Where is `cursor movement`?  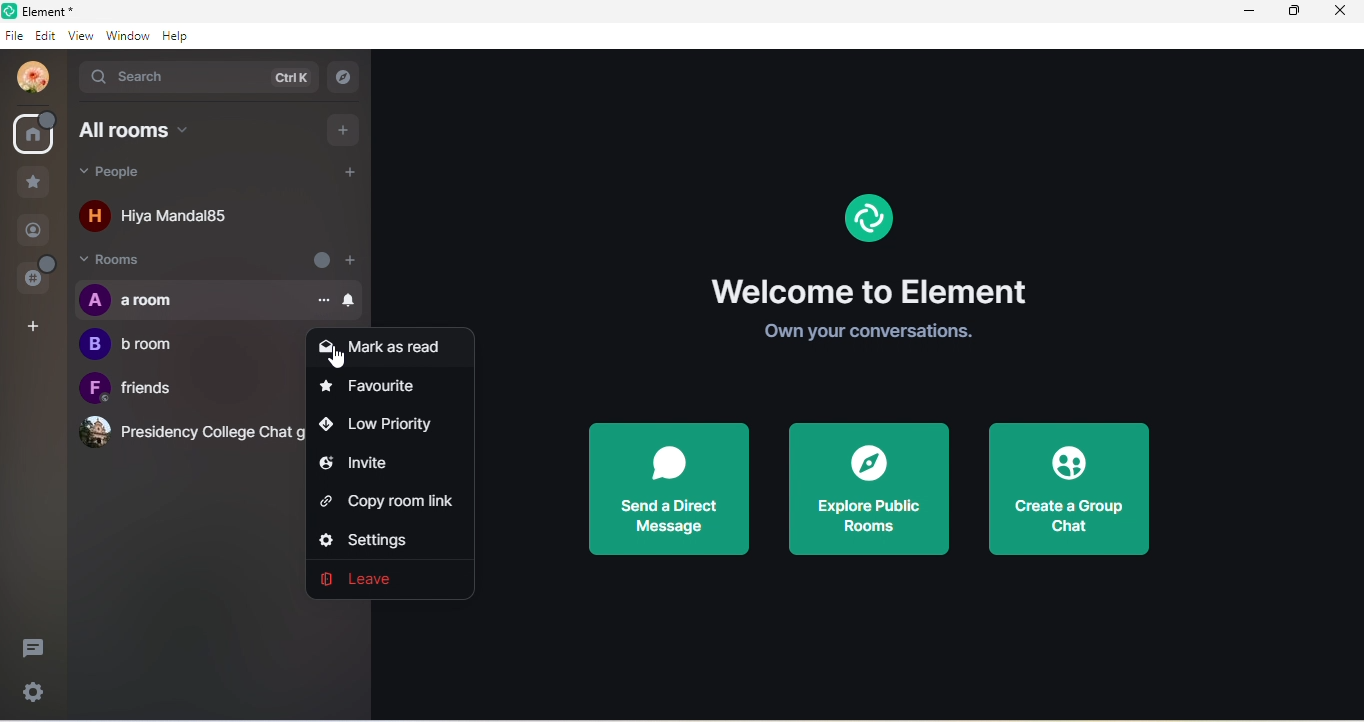 cursor movement is located at coordinates (341, 359).